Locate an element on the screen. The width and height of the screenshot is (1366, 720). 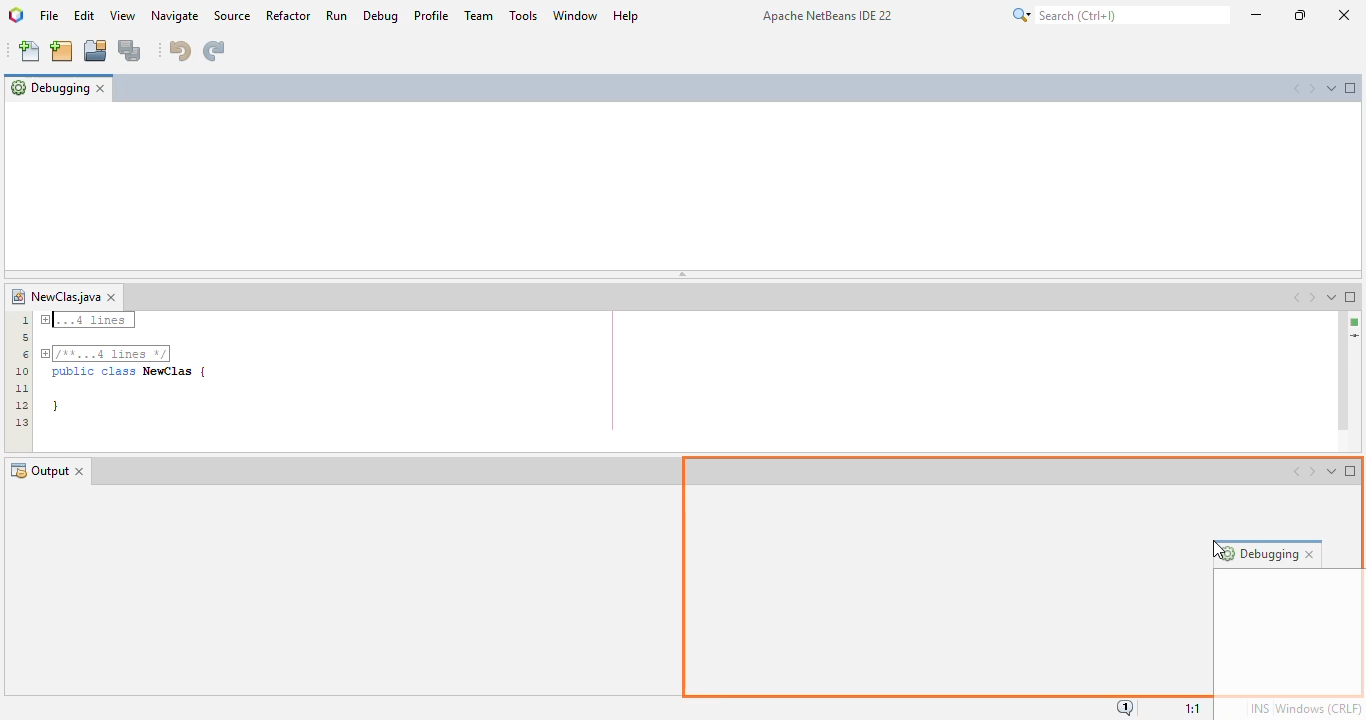
close window is located at coordinates (100, 88).